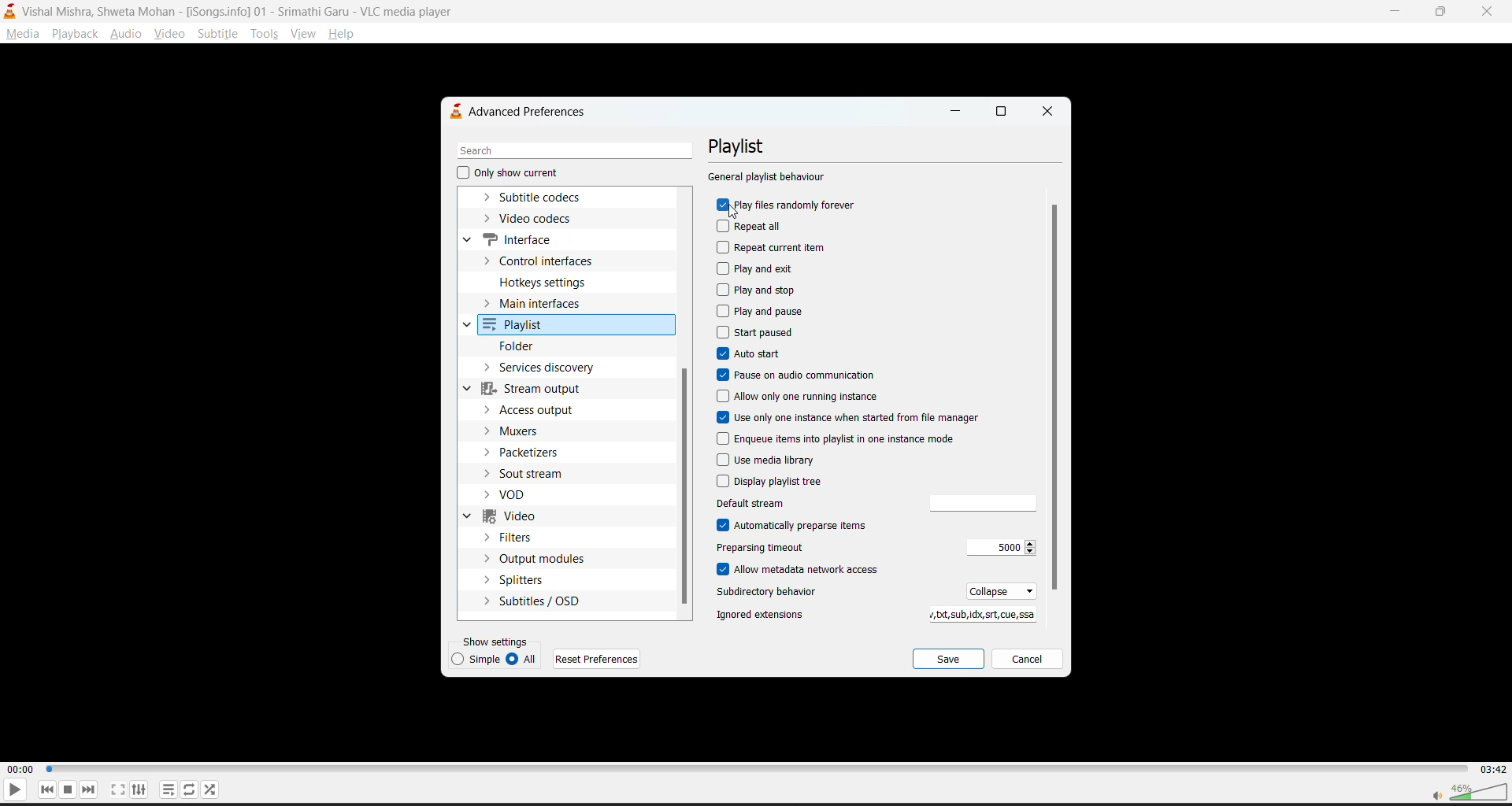  Describe the element at coordinates (736, 212) in the screenshot. I see `cursor` at that location.